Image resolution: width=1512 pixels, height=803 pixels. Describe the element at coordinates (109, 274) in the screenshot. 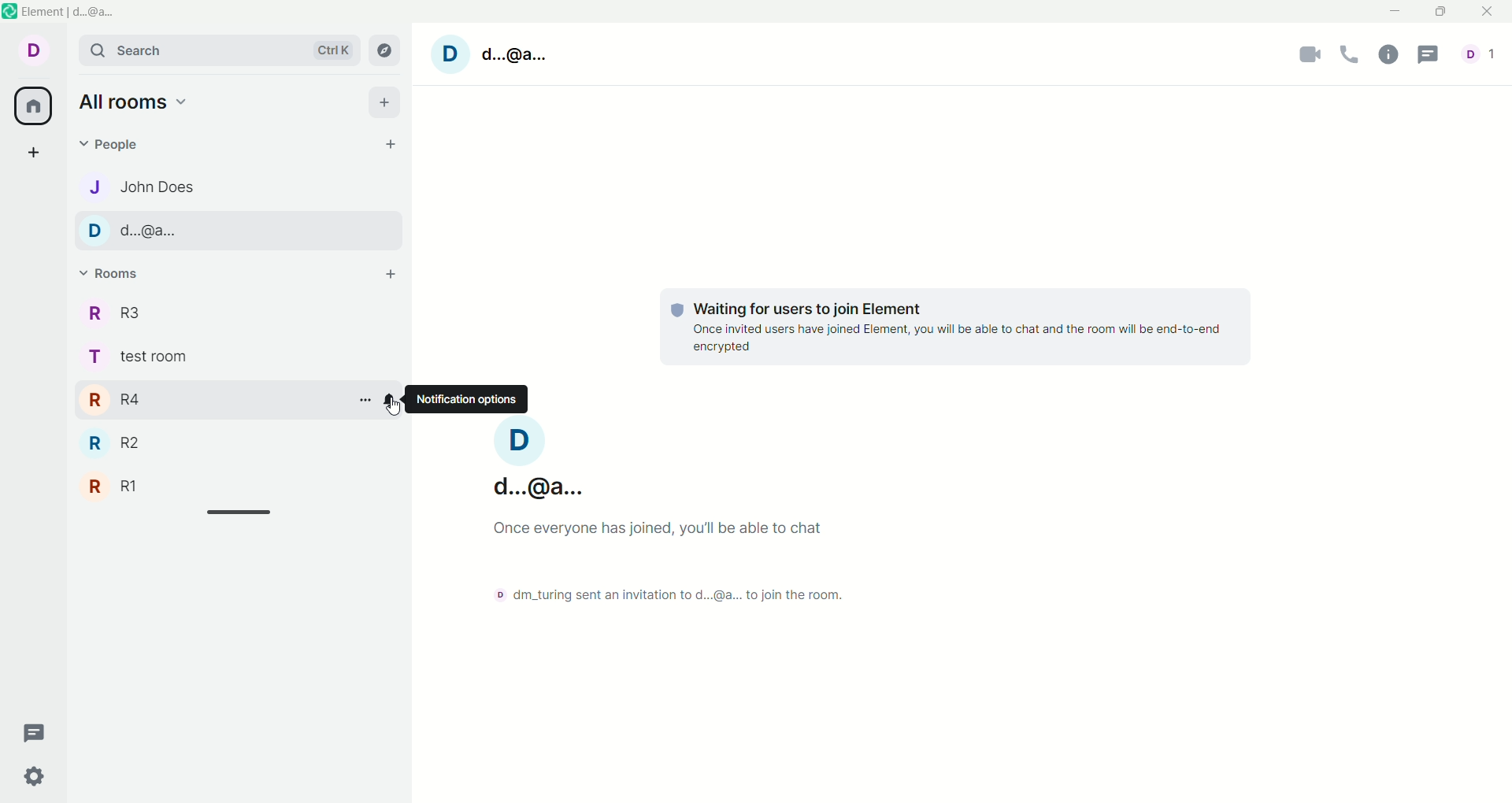

I see `rooms` at that location.